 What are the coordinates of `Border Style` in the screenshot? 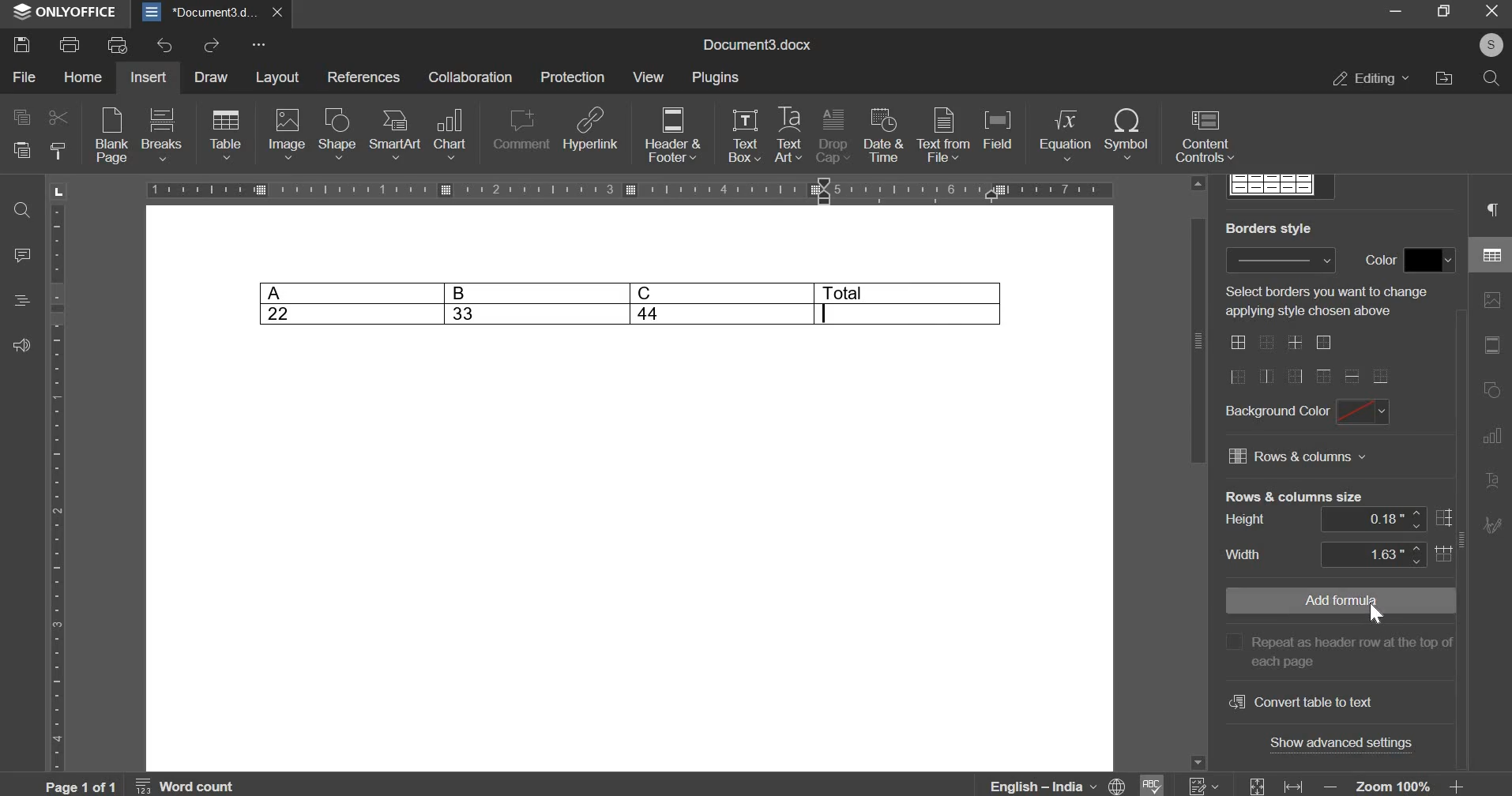 It's located at (1269, 227).